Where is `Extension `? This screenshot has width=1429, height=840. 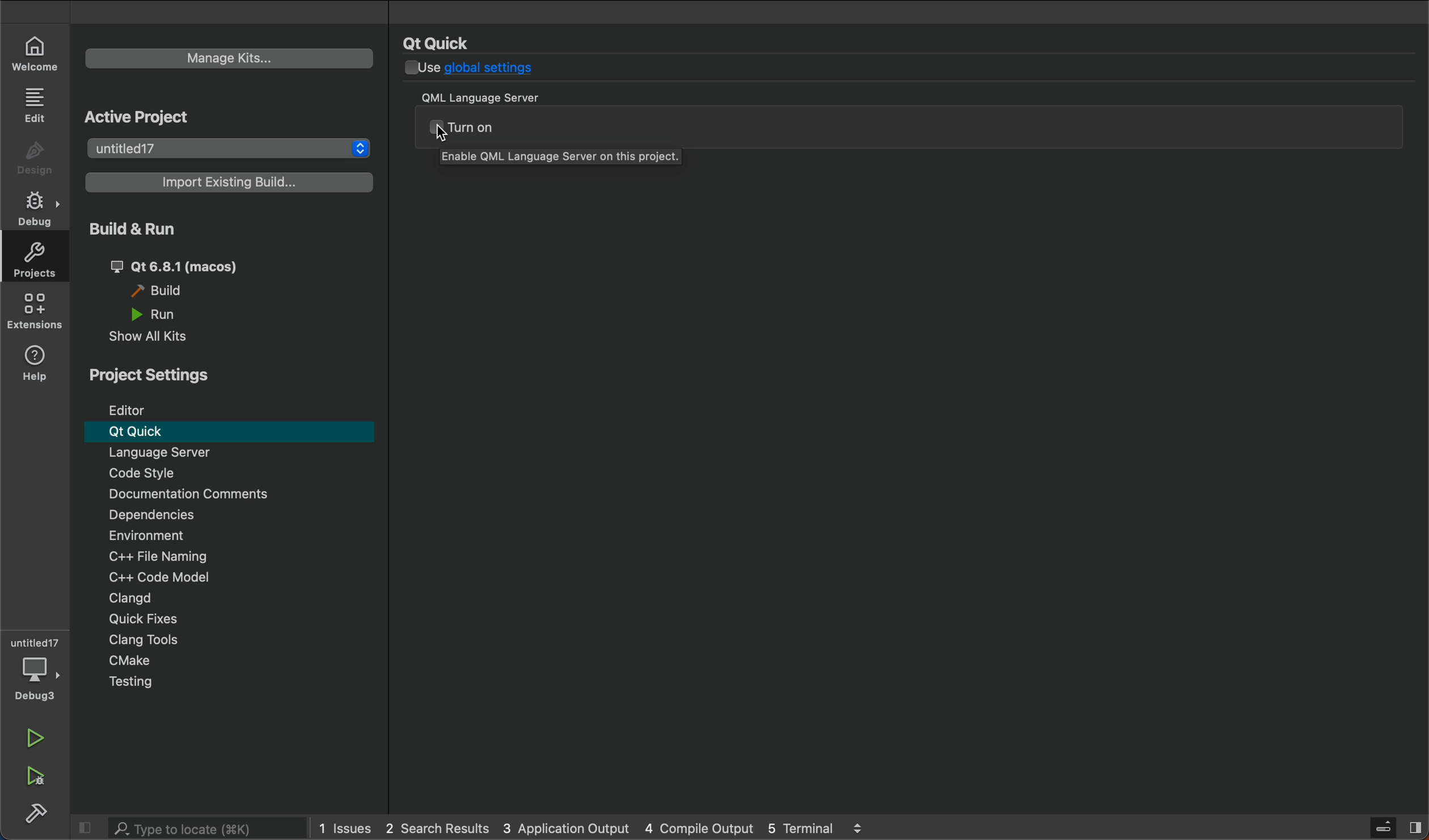 Extension  is located at coordinates (33, 310).